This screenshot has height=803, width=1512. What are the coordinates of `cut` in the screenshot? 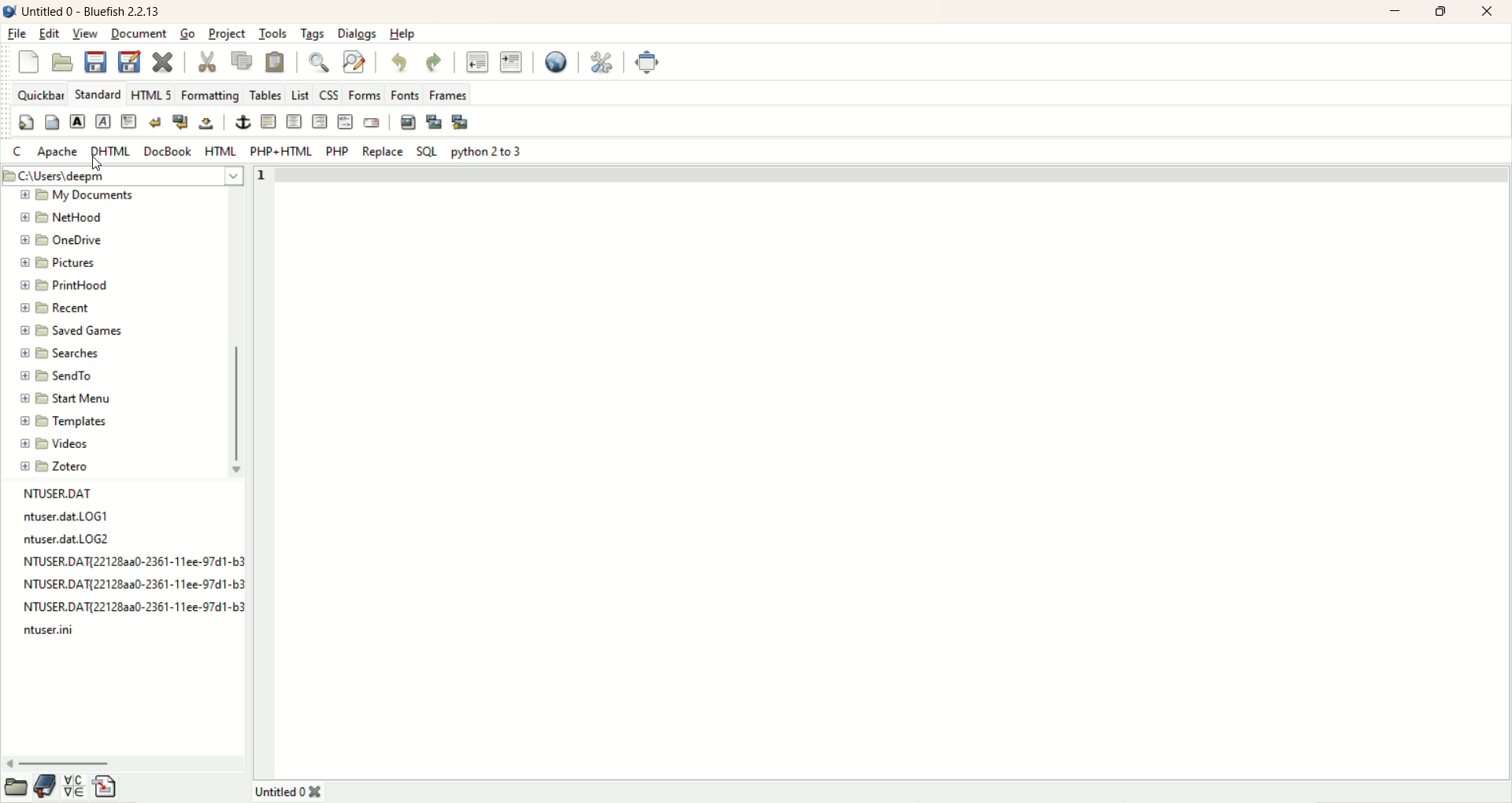 It's located at (206, 61).